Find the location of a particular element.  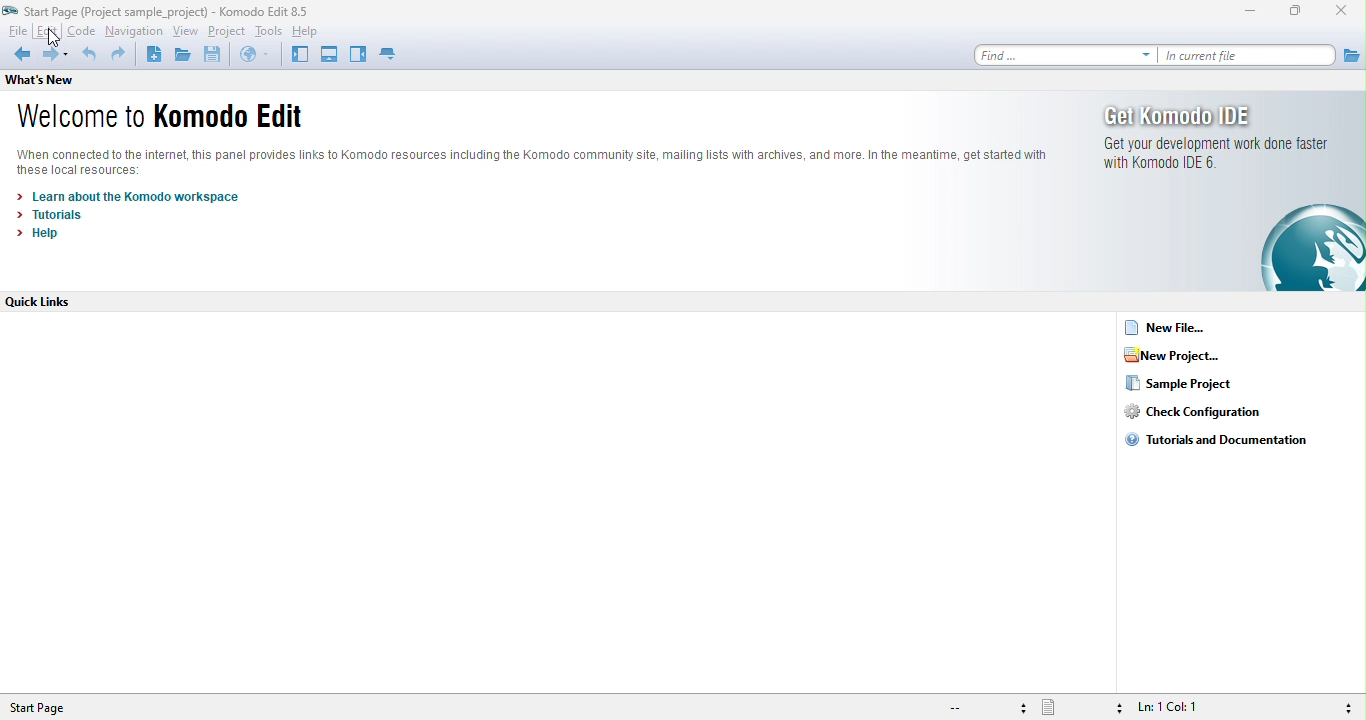

in current file is located at coordinates (1249, 56).